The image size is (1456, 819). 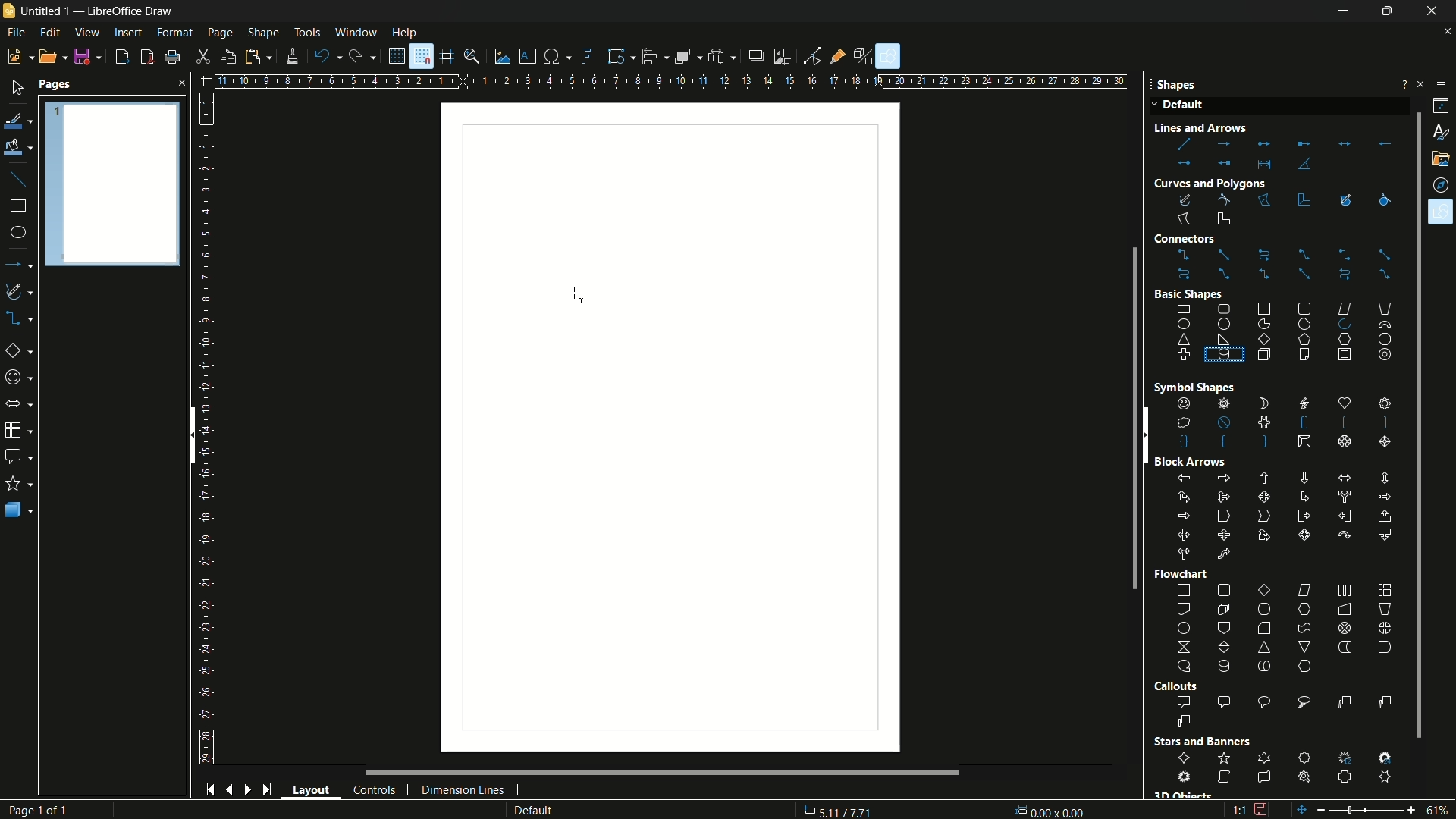 What do you see at coordinates (129, 11) in the screenshot?
I see `app name` at bounding box center [129, 11].